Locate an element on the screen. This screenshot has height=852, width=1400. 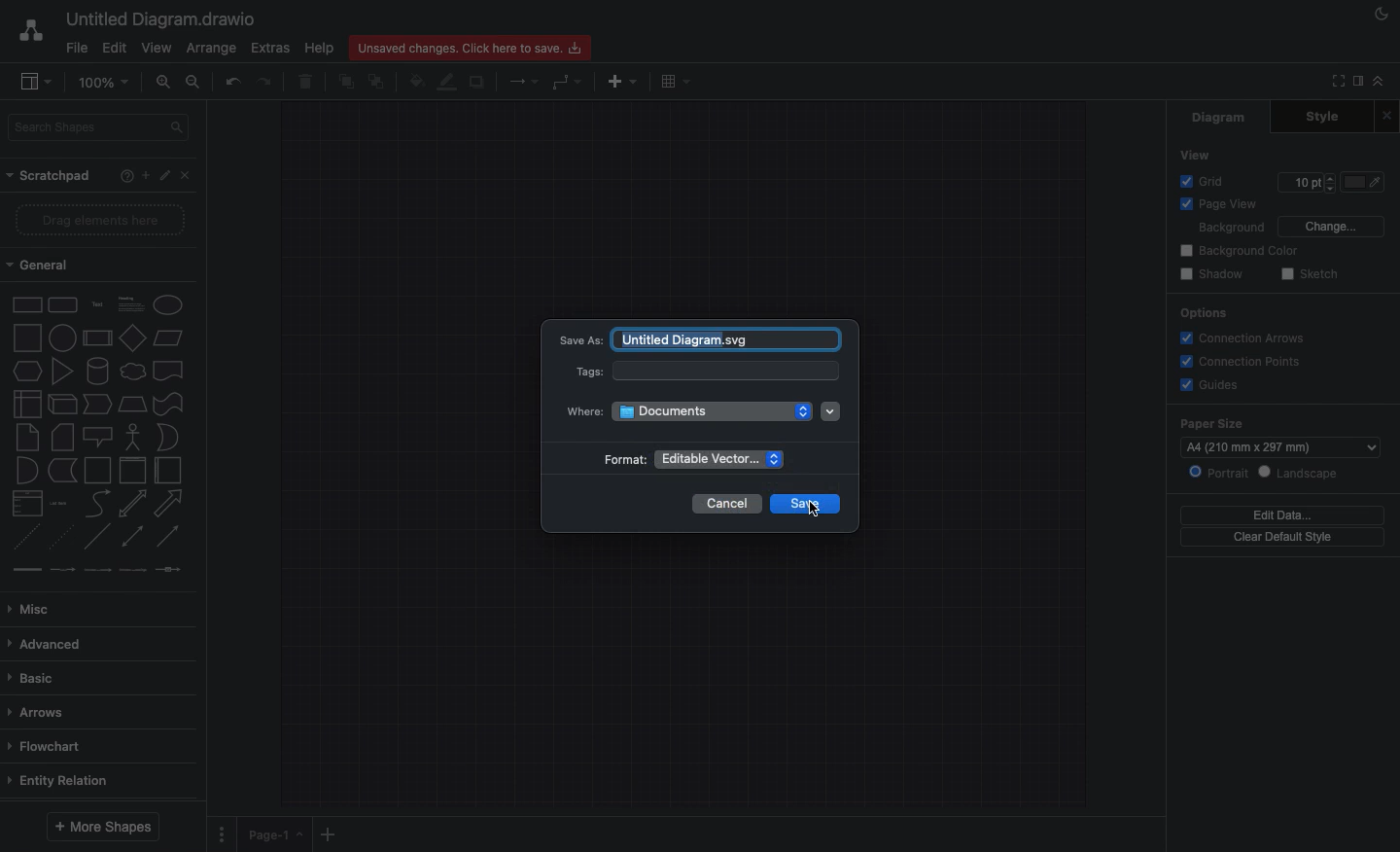
Connection is located at coordinates (524, 81).